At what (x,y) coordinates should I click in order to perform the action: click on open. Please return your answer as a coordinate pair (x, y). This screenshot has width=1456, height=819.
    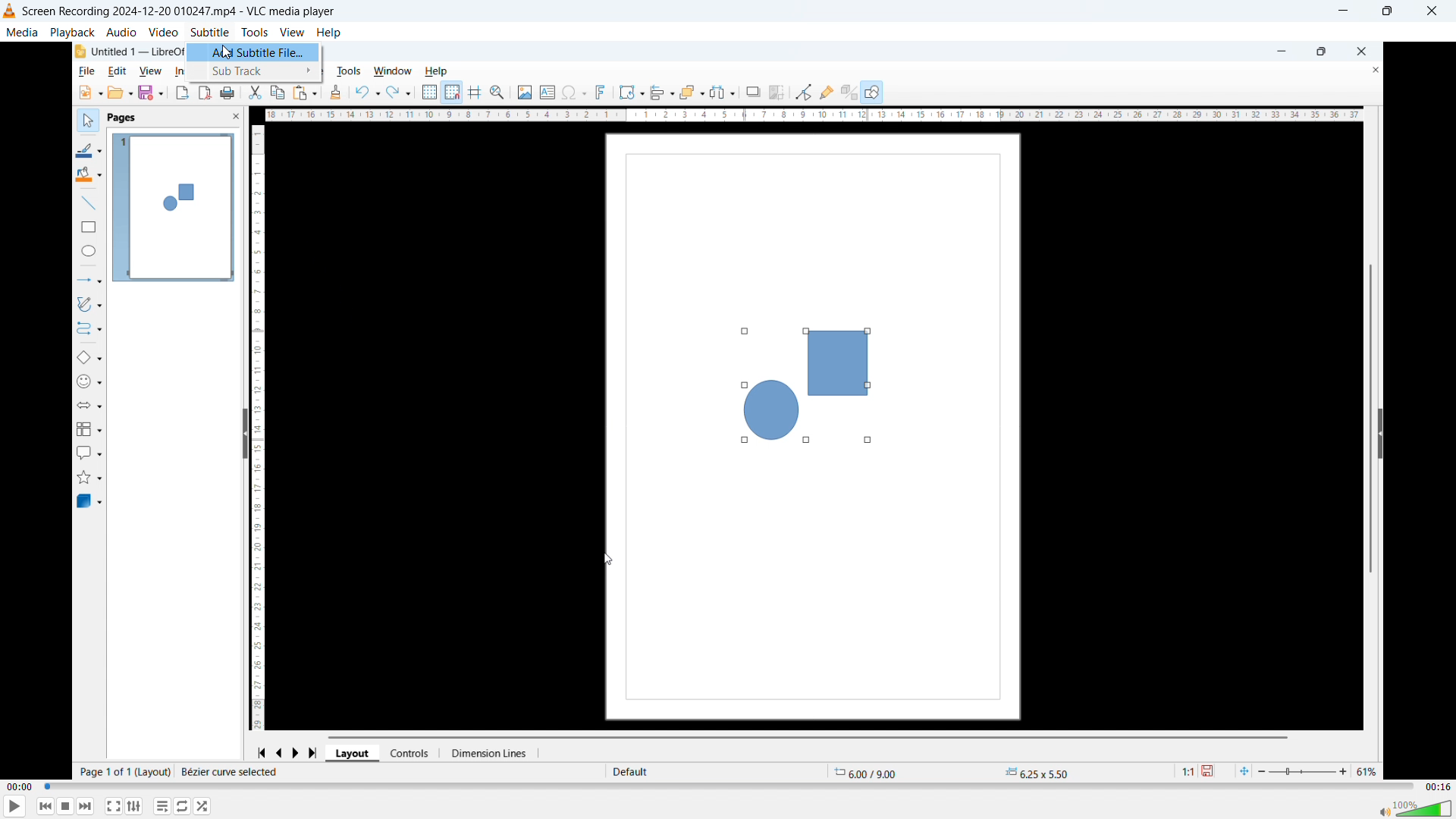
    Looking at the image, I should click on (121, 93).